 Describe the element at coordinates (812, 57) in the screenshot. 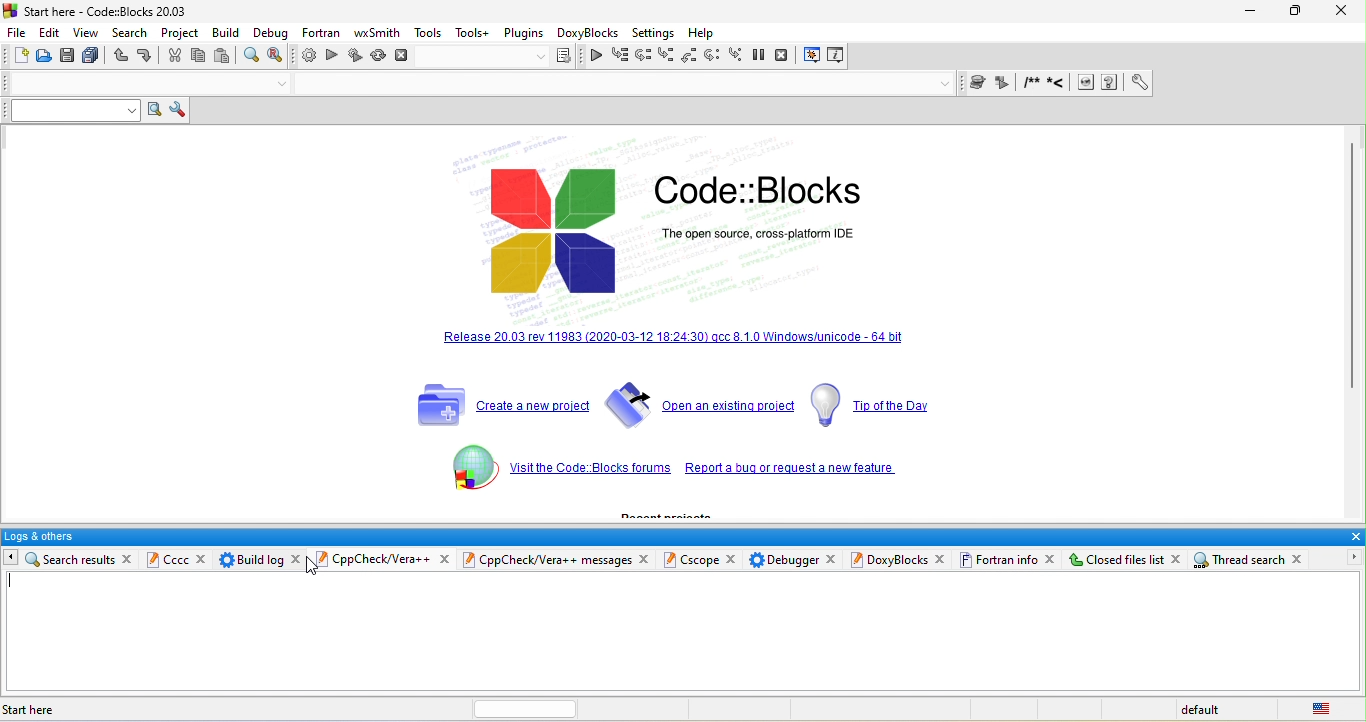

I see `debugging window` at that location.